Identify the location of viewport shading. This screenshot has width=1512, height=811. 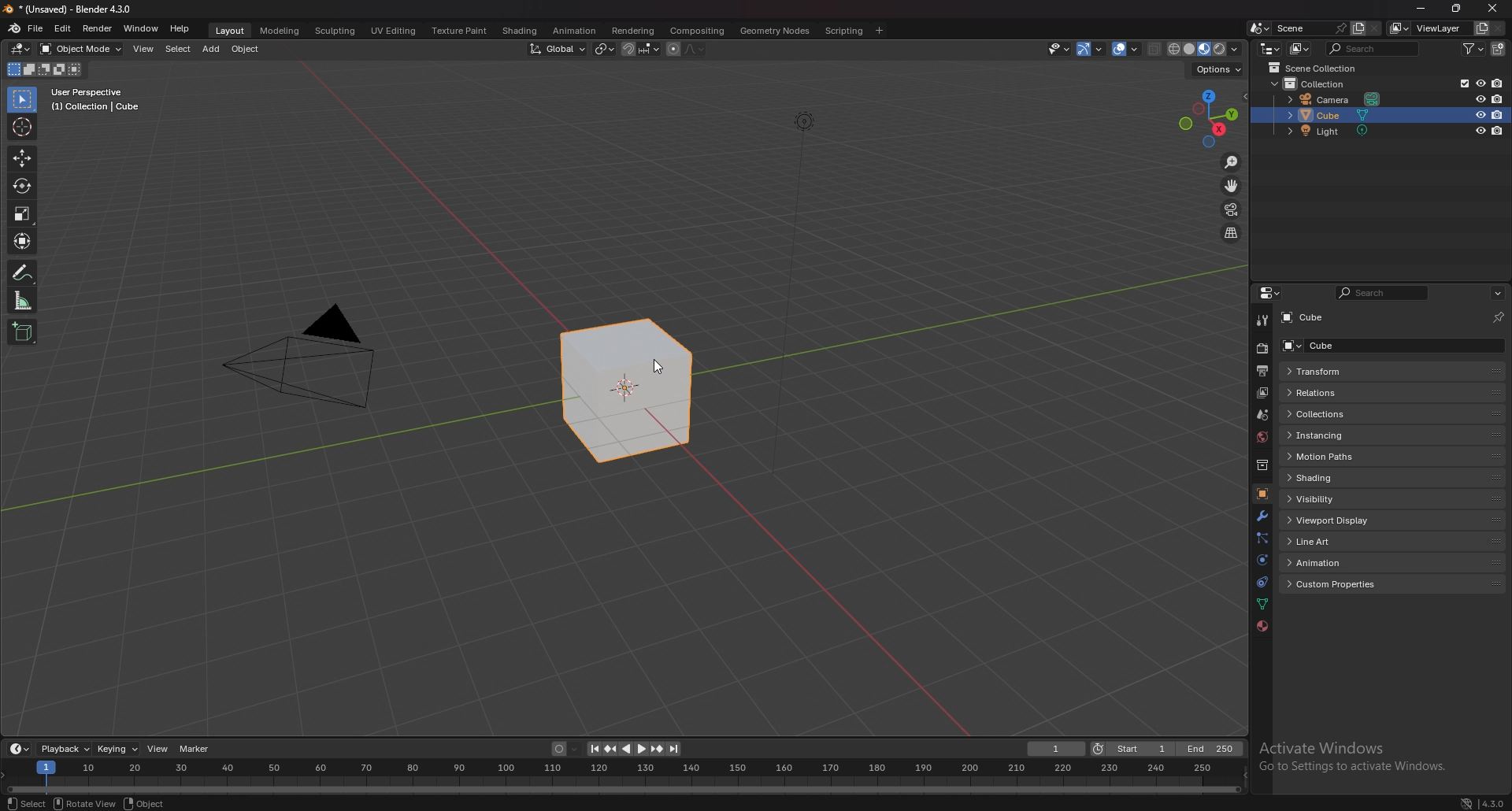
(1205, 50).